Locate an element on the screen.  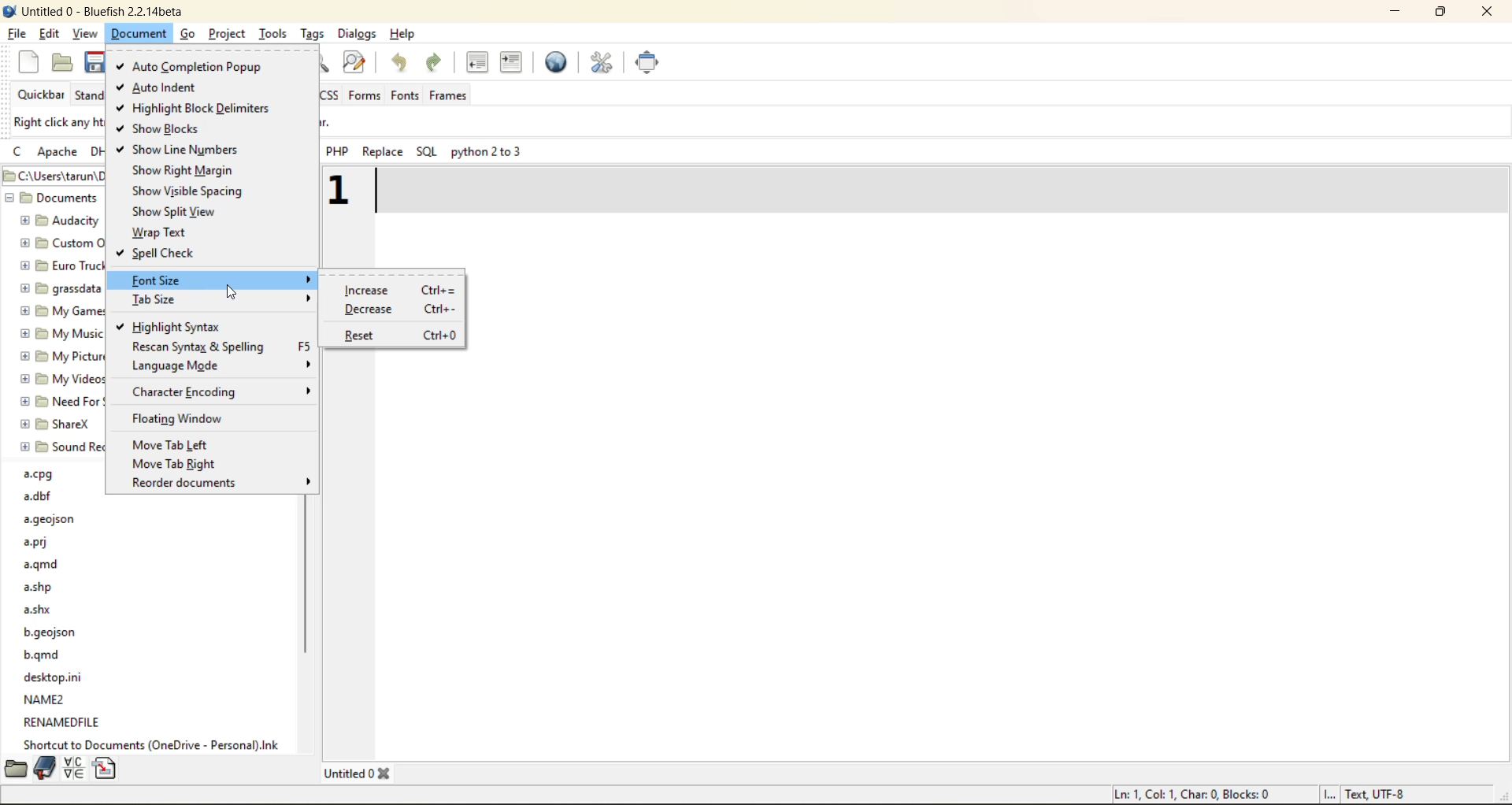
c is located at coordinates (20, 150).